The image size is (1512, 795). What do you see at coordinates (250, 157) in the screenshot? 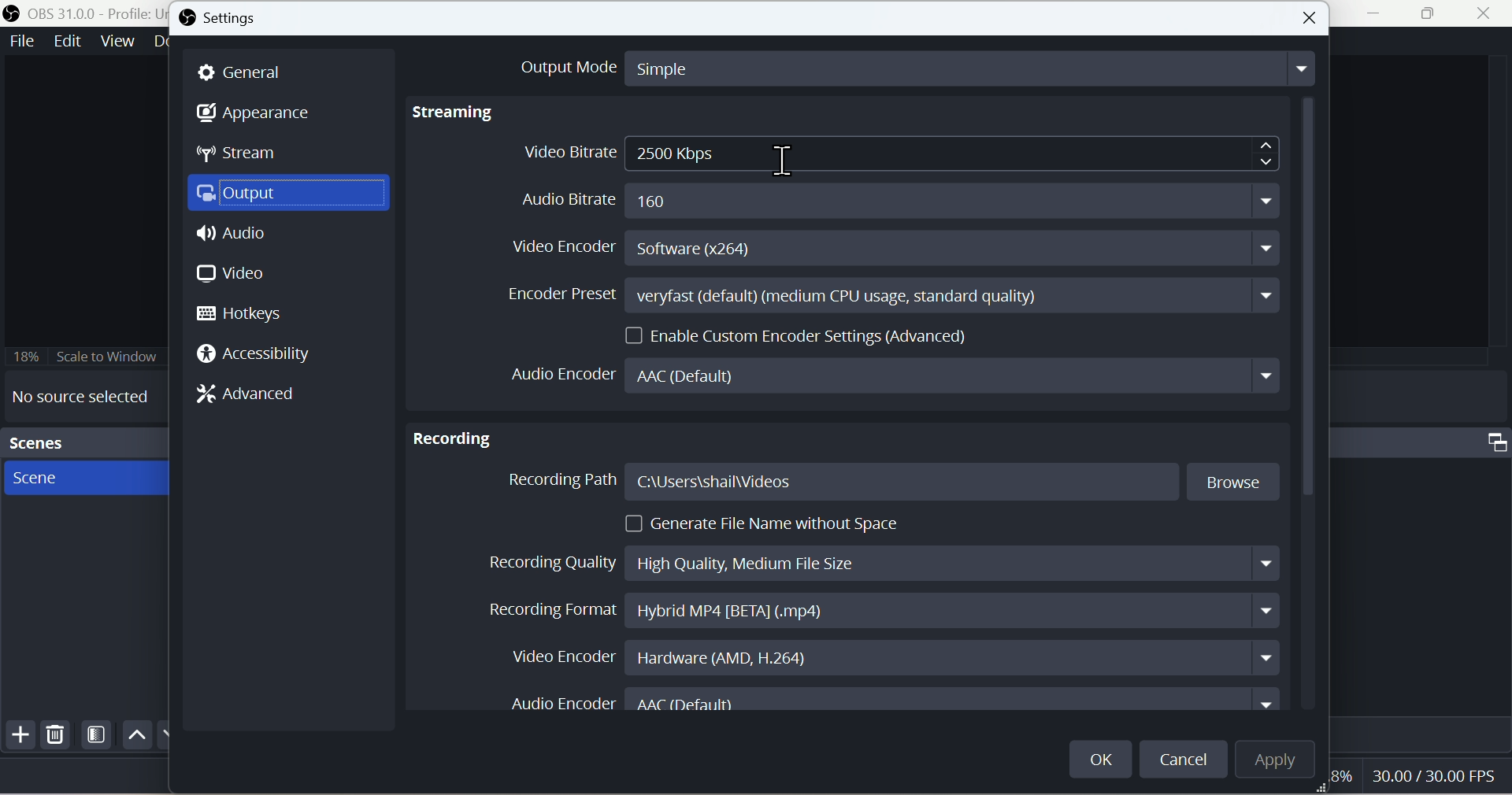
I see `Stream` at bounding box center [250, 157].